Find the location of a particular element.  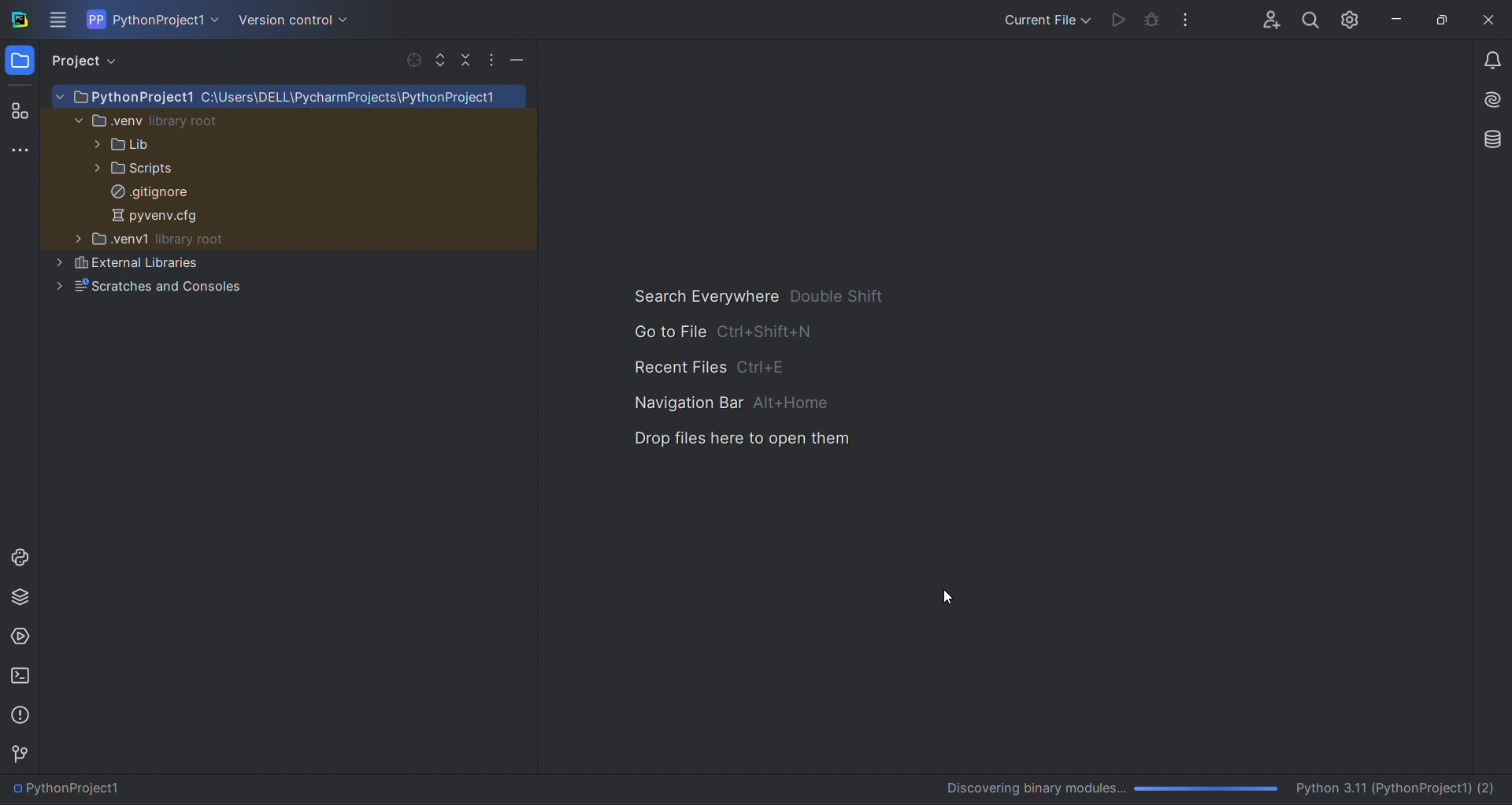

notifications is located at coordinates (1492, 63).